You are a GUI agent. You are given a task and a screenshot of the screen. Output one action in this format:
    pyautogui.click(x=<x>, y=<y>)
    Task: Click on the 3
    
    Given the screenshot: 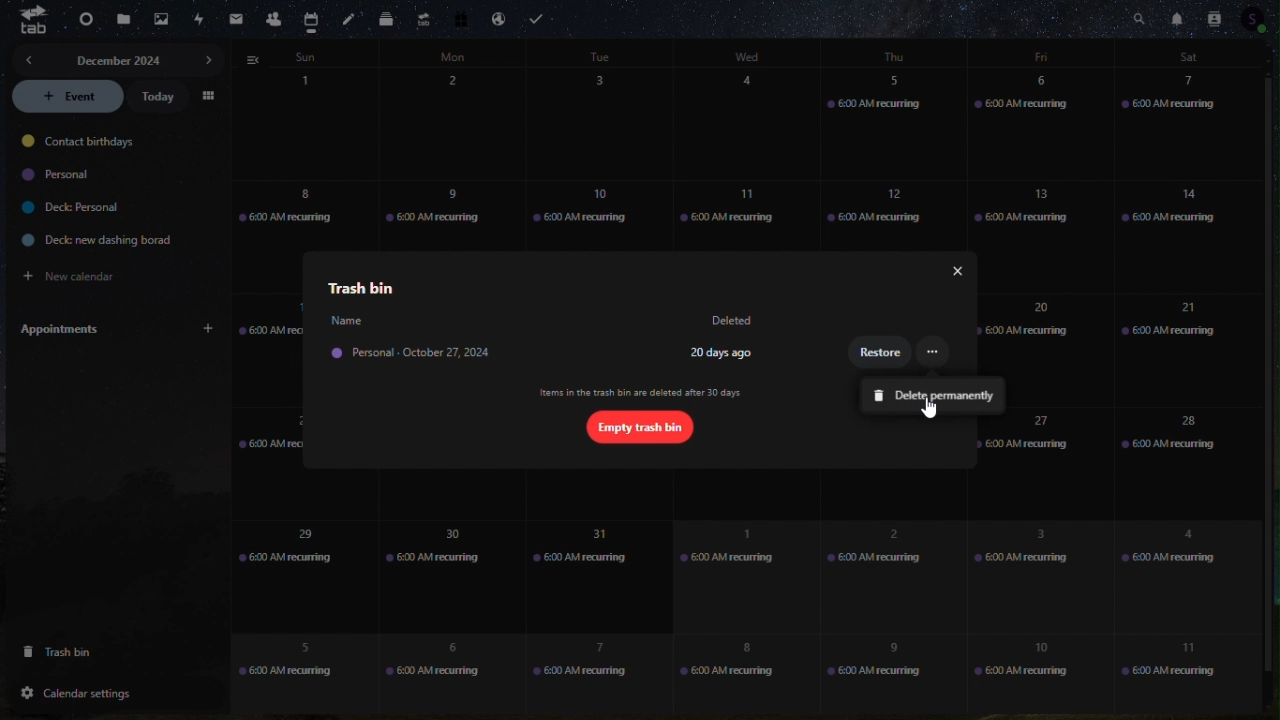 What is the action you would take?
    pyautogui.click(x=1028, y=574)
    